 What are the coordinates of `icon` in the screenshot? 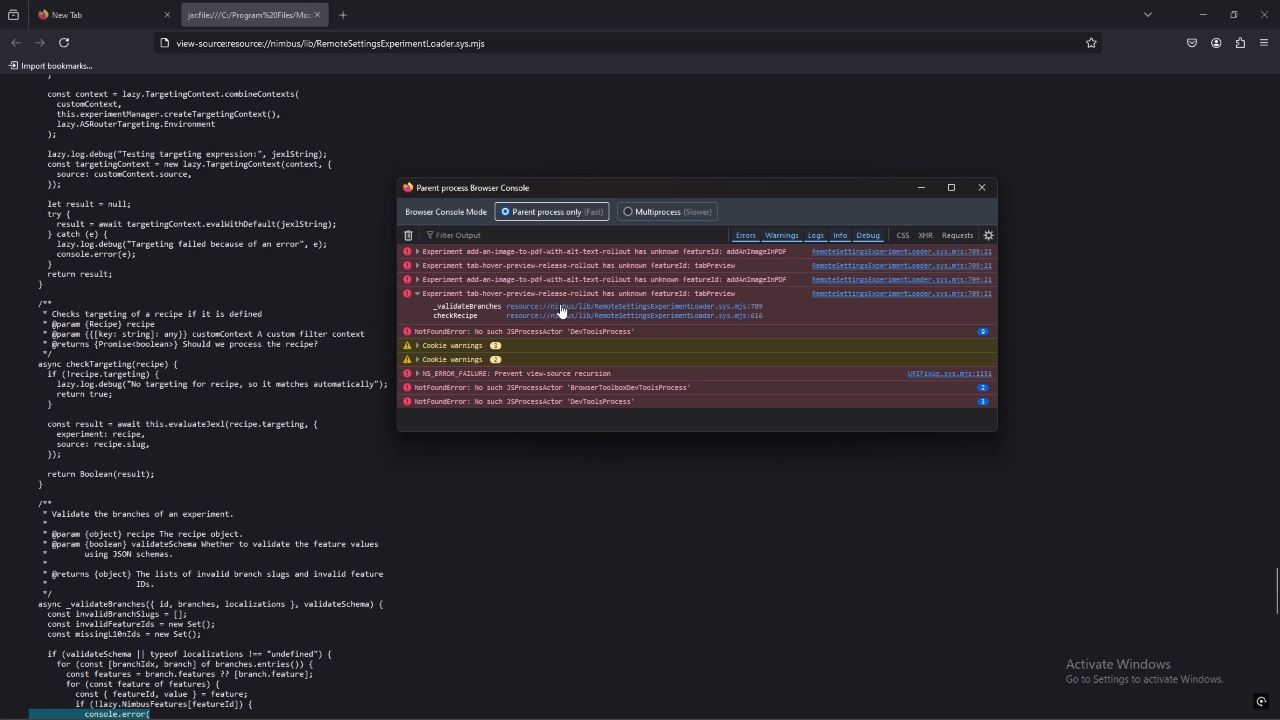 It's located at (1261, 701).